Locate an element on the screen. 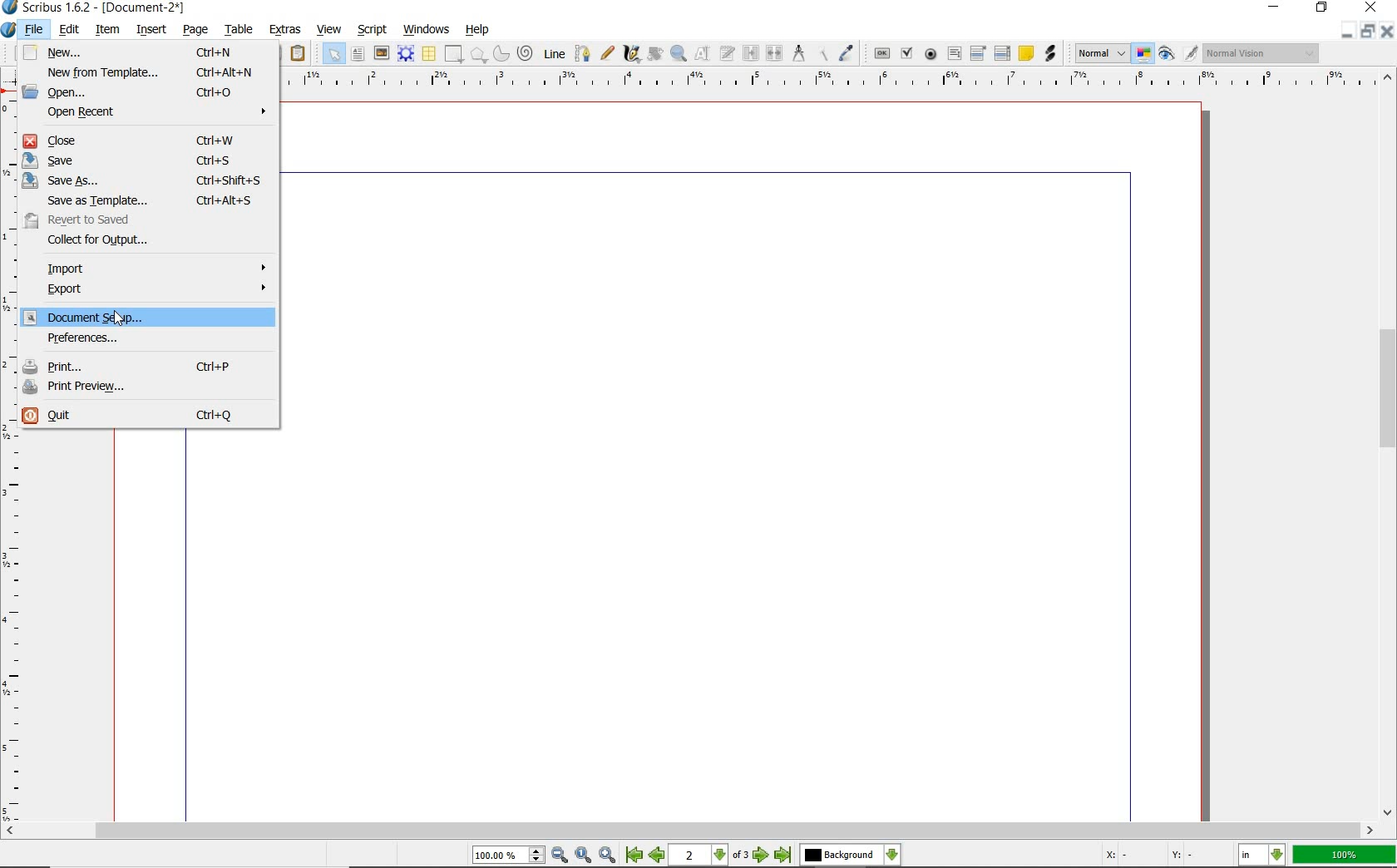  Edit in Preview Mode is located at coordinates (1190, 56).